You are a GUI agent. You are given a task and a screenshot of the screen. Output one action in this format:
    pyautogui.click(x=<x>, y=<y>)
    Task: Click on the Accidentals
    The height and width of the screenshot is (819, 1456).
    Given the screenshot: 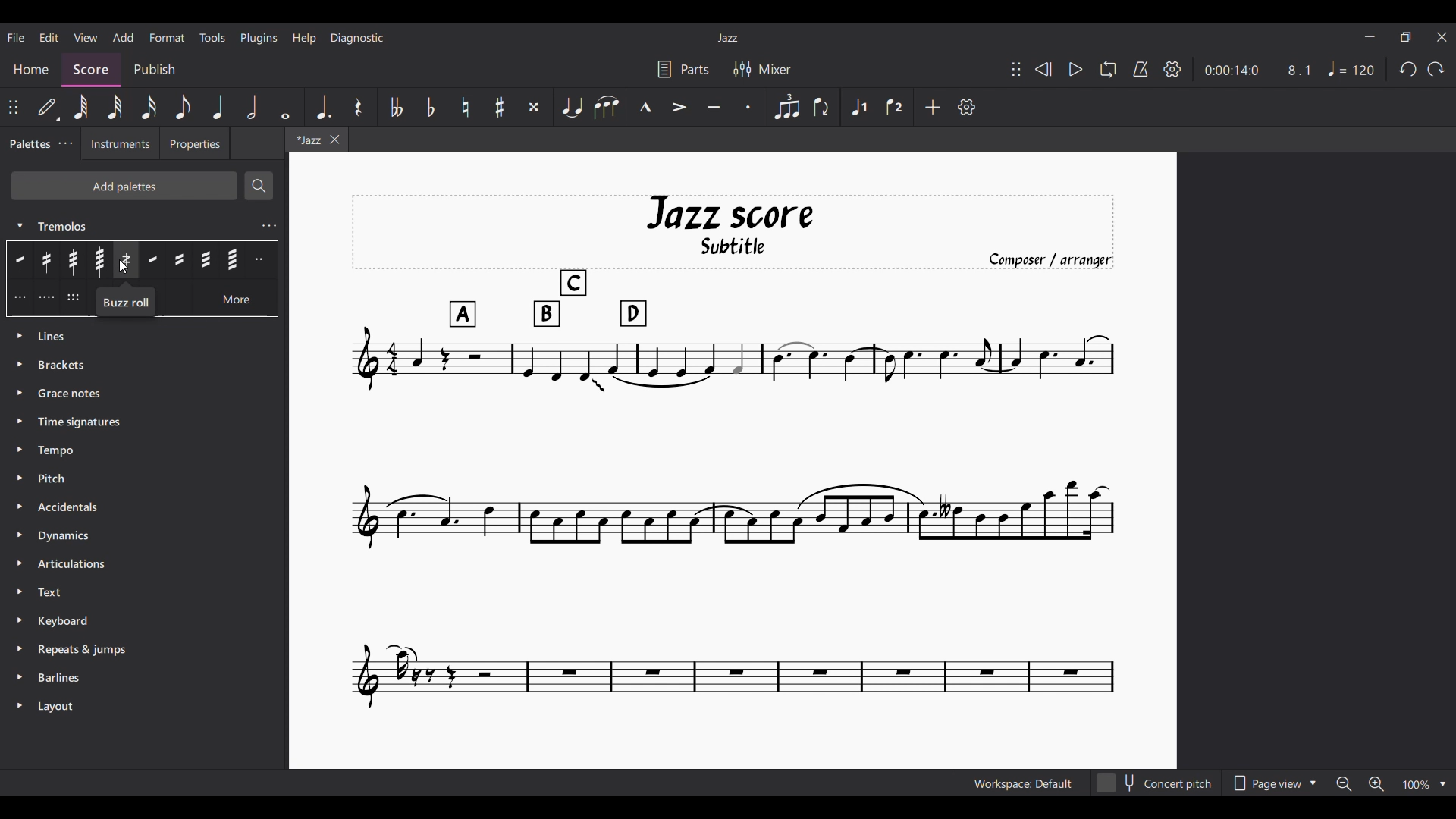 What is the action you would take?
    pyautogui.click(x=146, y=507)
    